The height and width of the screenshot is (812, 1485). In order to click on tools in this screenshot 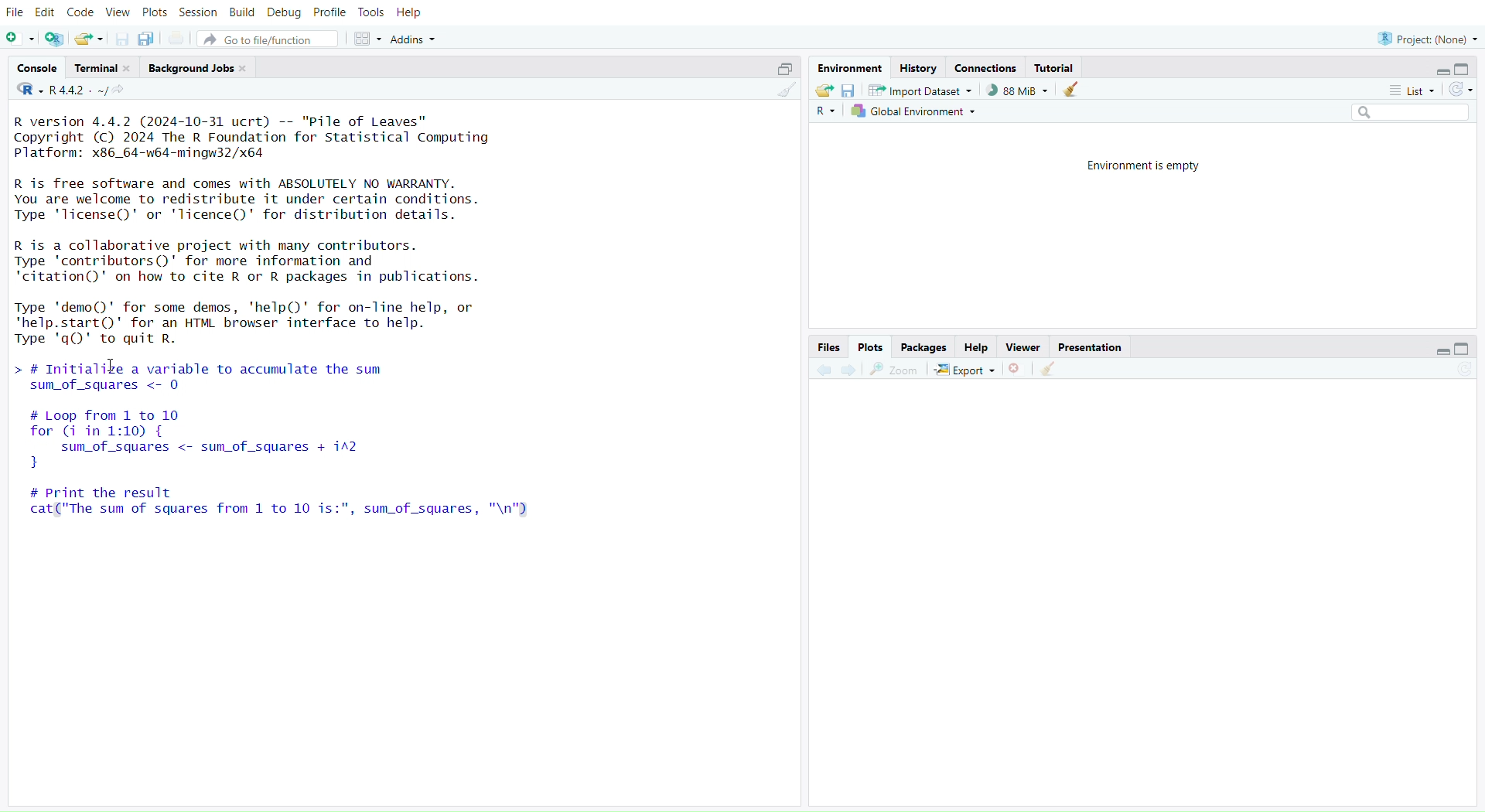, I will do `click(372, 12)`.